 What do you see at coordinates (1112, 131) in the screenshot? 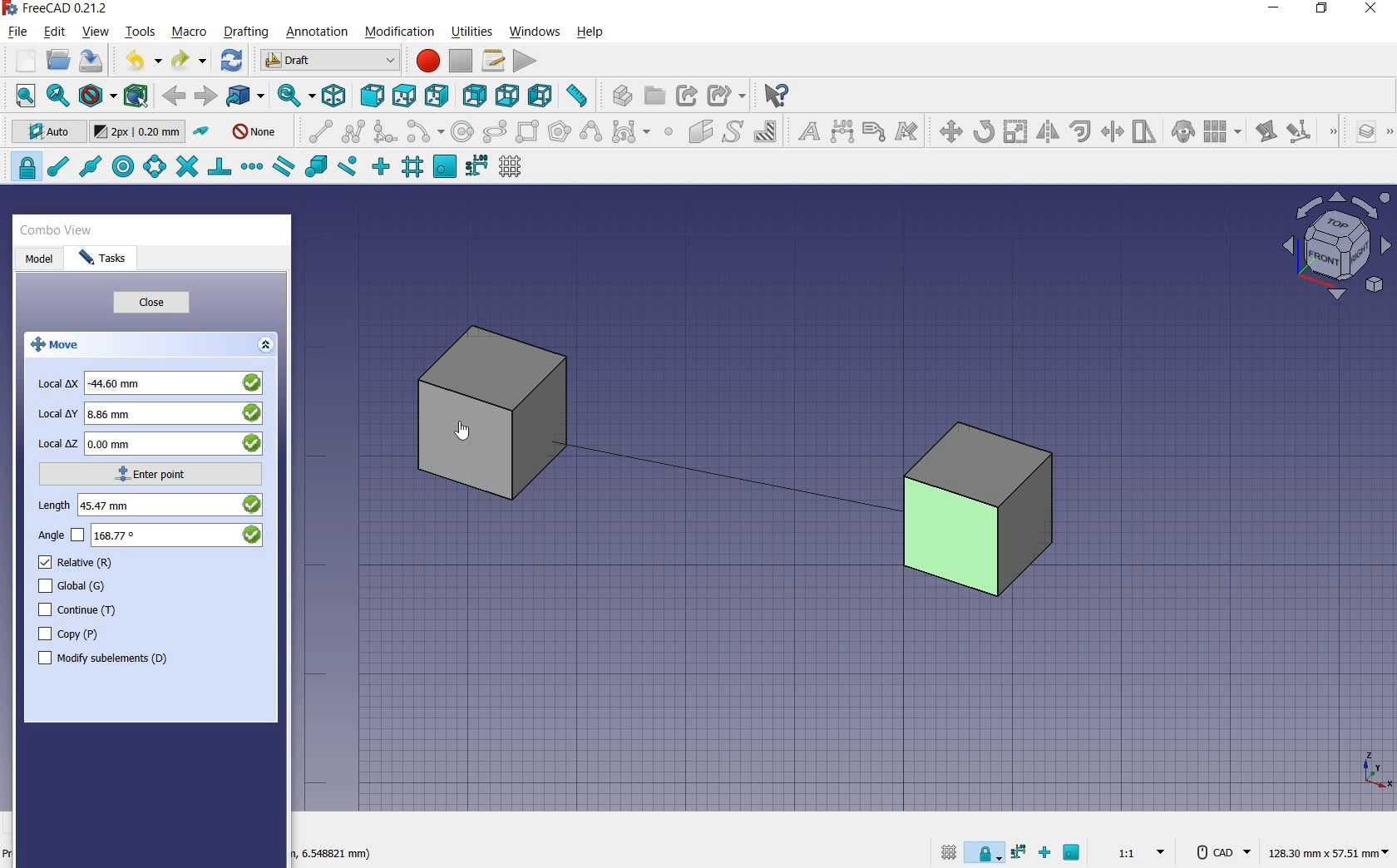
I see `trimex` at bounding box center [1112, 131].